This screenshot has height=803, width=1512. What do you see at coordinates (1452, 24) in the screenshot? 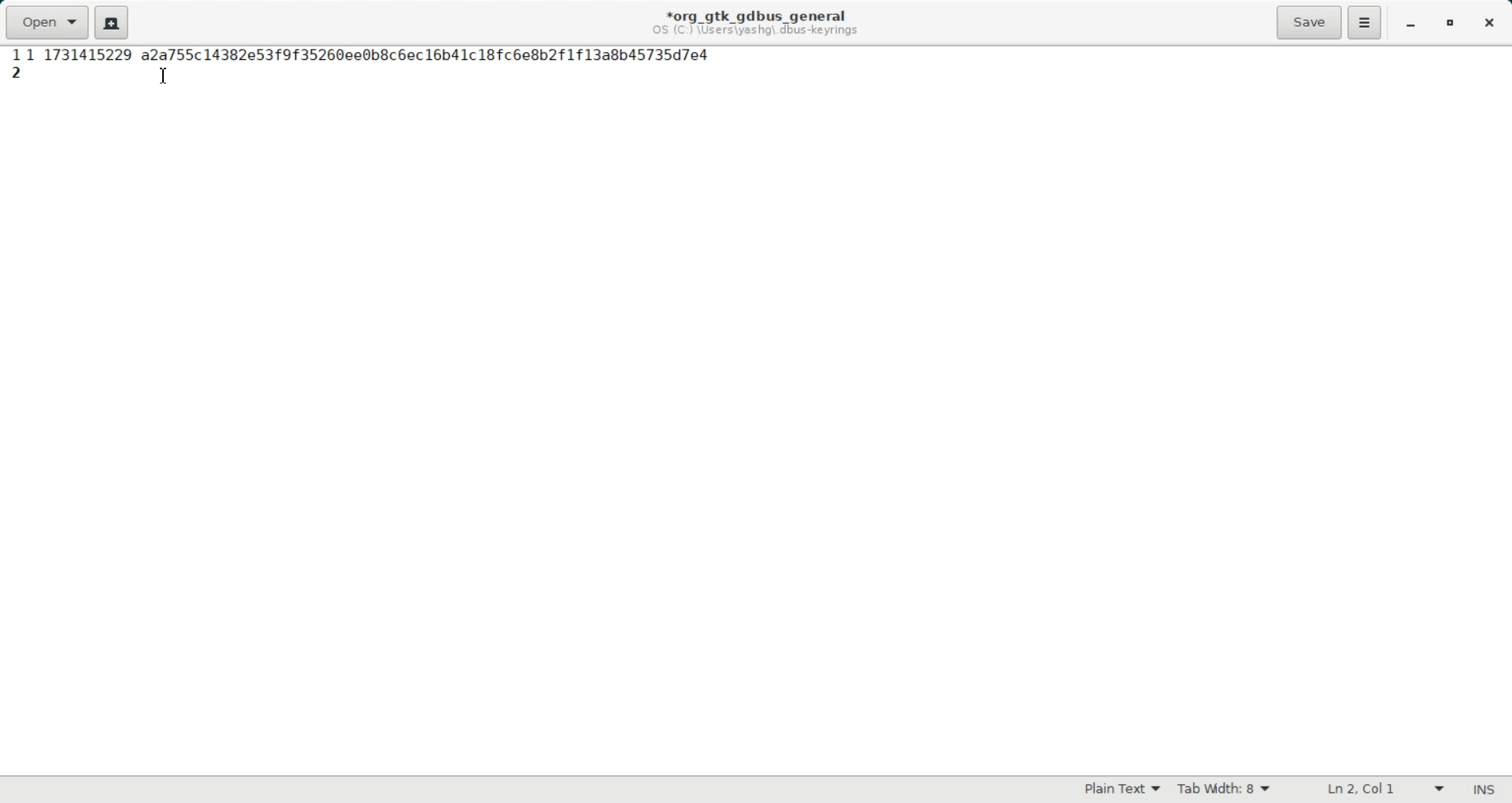
I see `Maximize` at bounding box center [1452, 24].